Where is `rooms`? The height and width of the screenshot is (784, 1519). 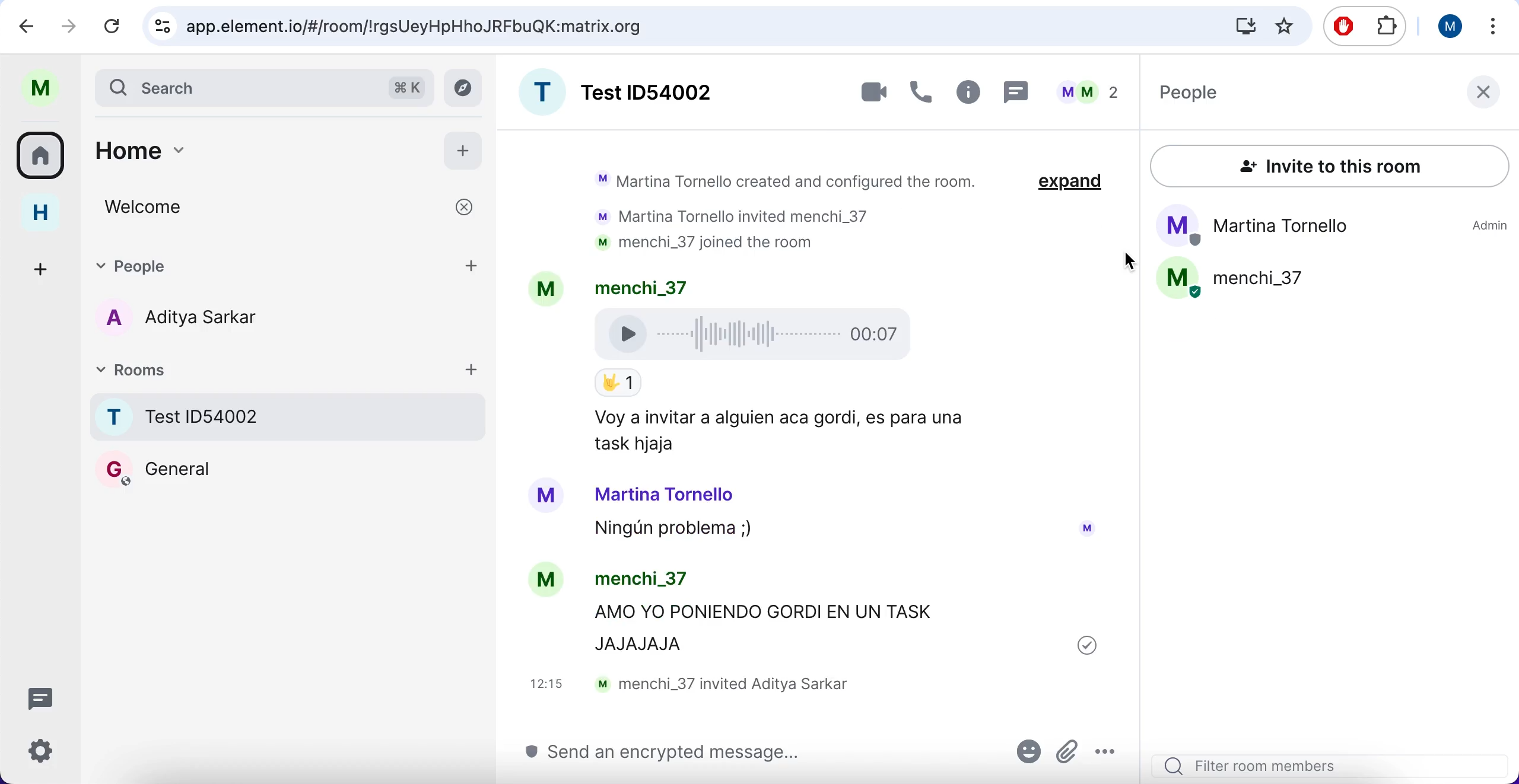 rooms is located at coordinates (45, 157).